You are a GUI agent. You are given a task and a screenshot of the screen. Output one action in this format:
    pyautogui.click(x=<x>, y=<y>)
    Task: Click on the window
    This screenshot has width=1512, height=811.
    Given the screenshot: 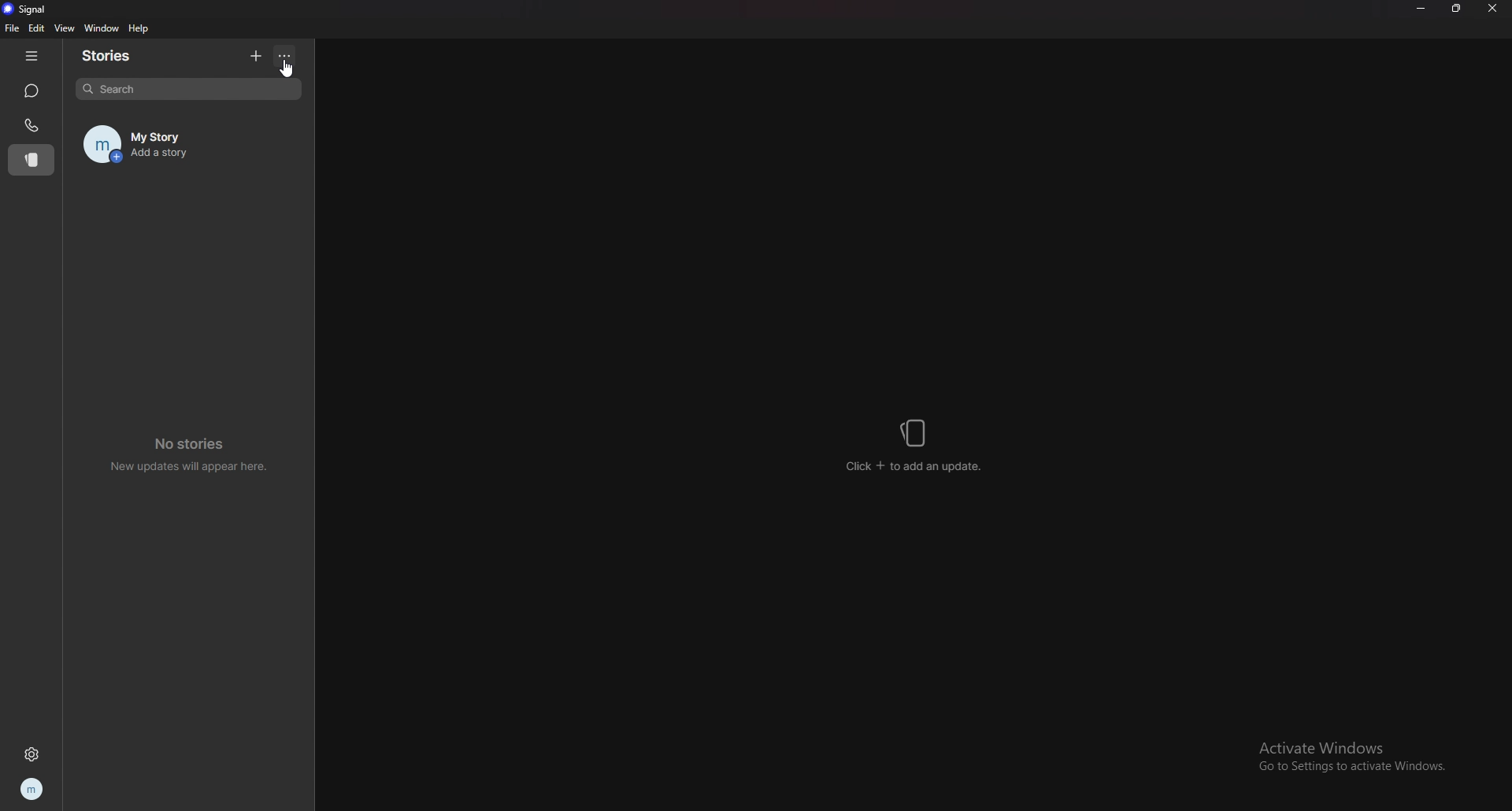 What is the action you would take?
    pyautogui.click(x=102, y=28)
    